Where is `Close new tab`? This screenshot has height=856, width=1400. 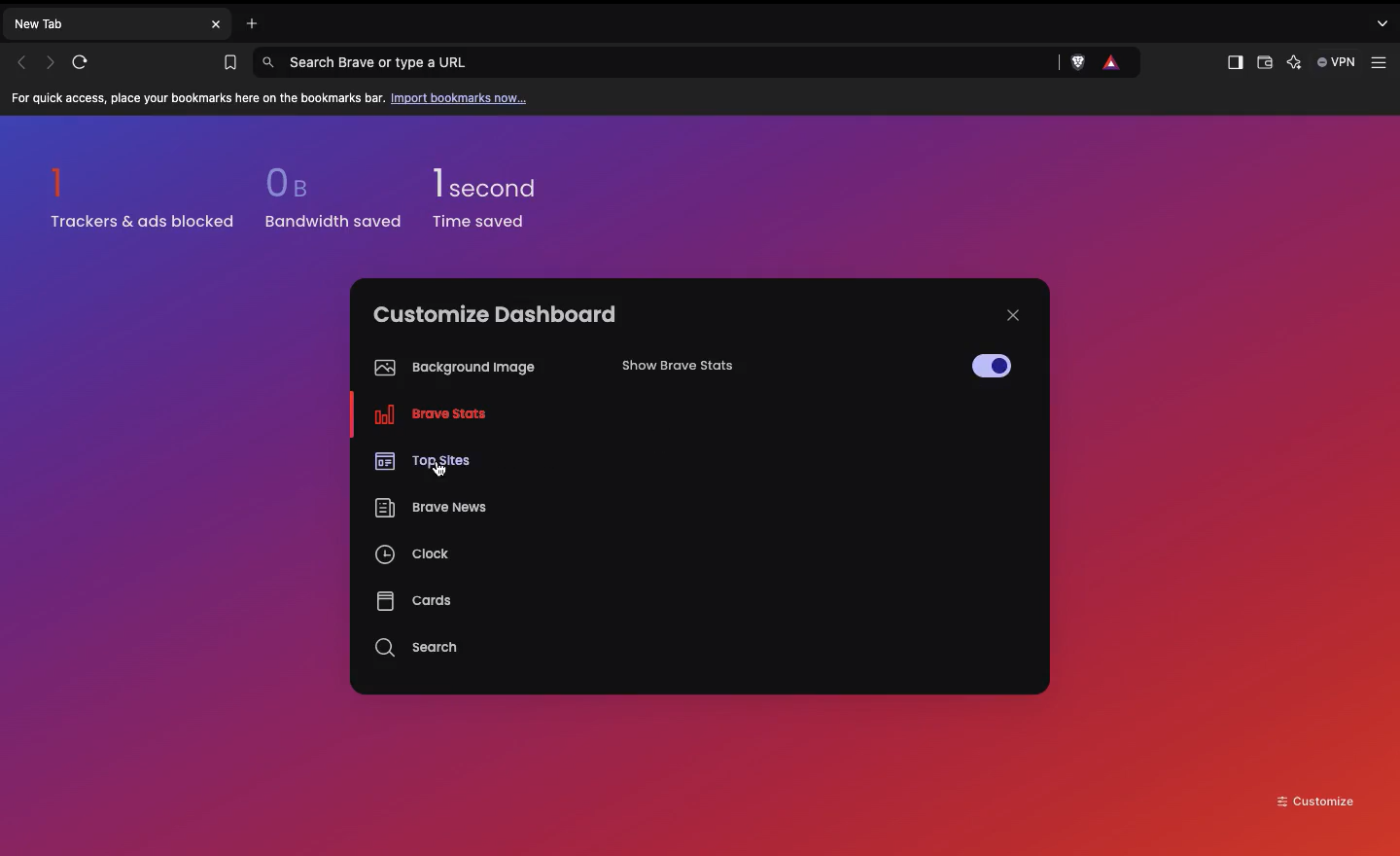 Close new tab is located at coordinates (216, 24).